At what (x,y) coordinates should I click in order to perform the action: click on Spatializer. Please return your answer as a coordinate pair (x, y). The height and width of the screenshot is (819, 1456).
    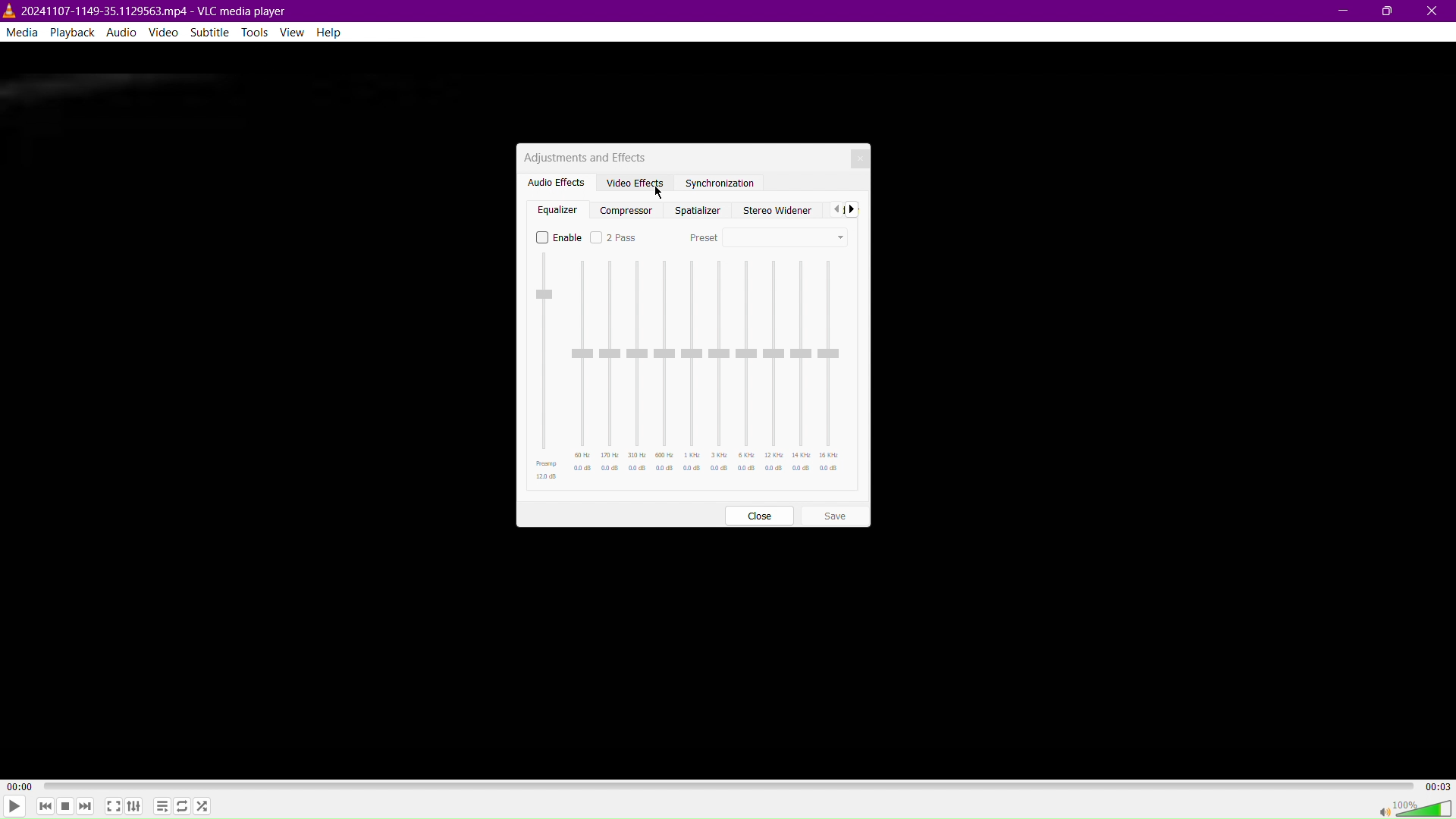
    Looking at the image, I should click on (696, 209).